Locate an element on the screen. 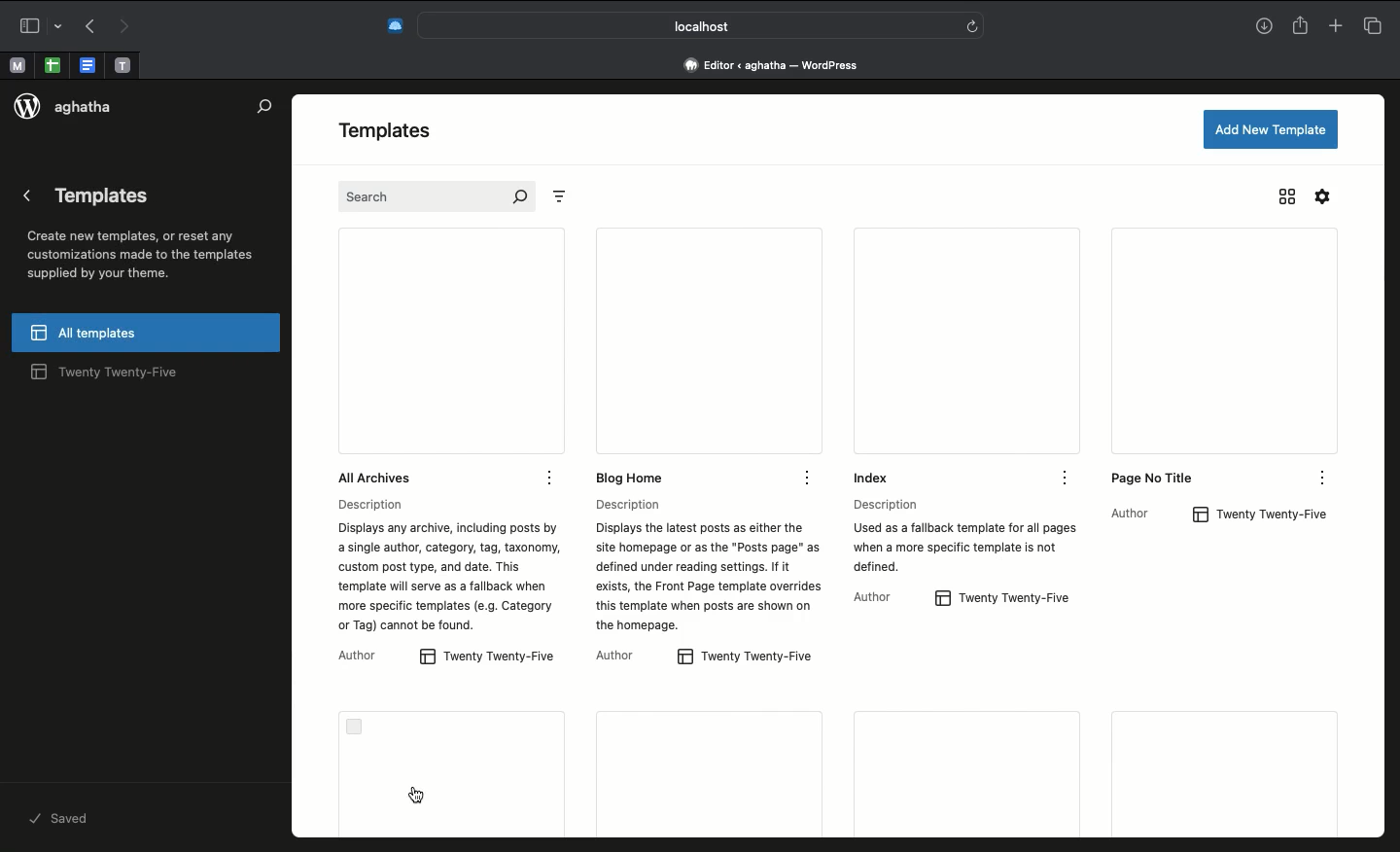 The height and width of the screenshot is (852, 1400). Add new tab is located at coordinates (1335, 22).